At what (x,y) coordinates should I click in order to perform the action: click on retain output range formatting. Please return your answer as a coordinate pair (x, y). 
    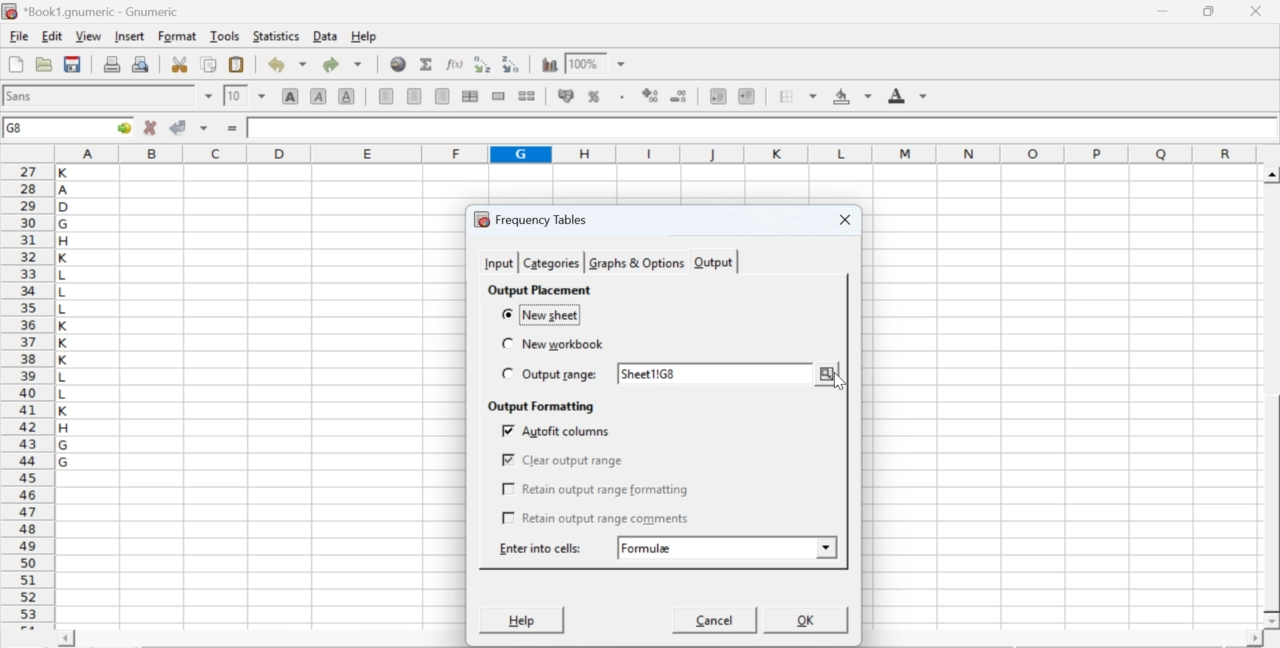
    Looking at the image, I should click on (596, 490).